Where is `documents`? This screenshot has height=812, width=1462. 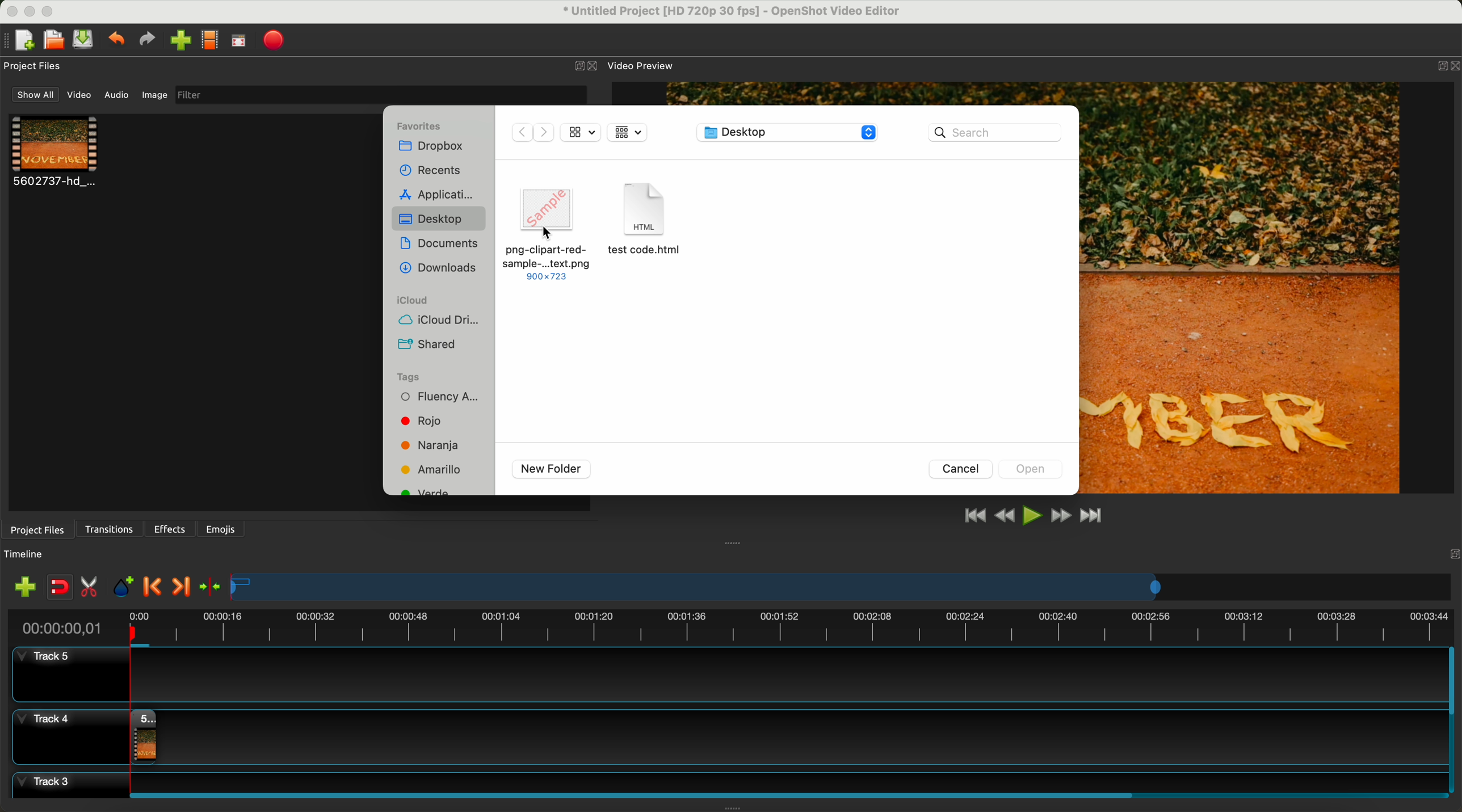 documents is located at coordinates (439, 243).